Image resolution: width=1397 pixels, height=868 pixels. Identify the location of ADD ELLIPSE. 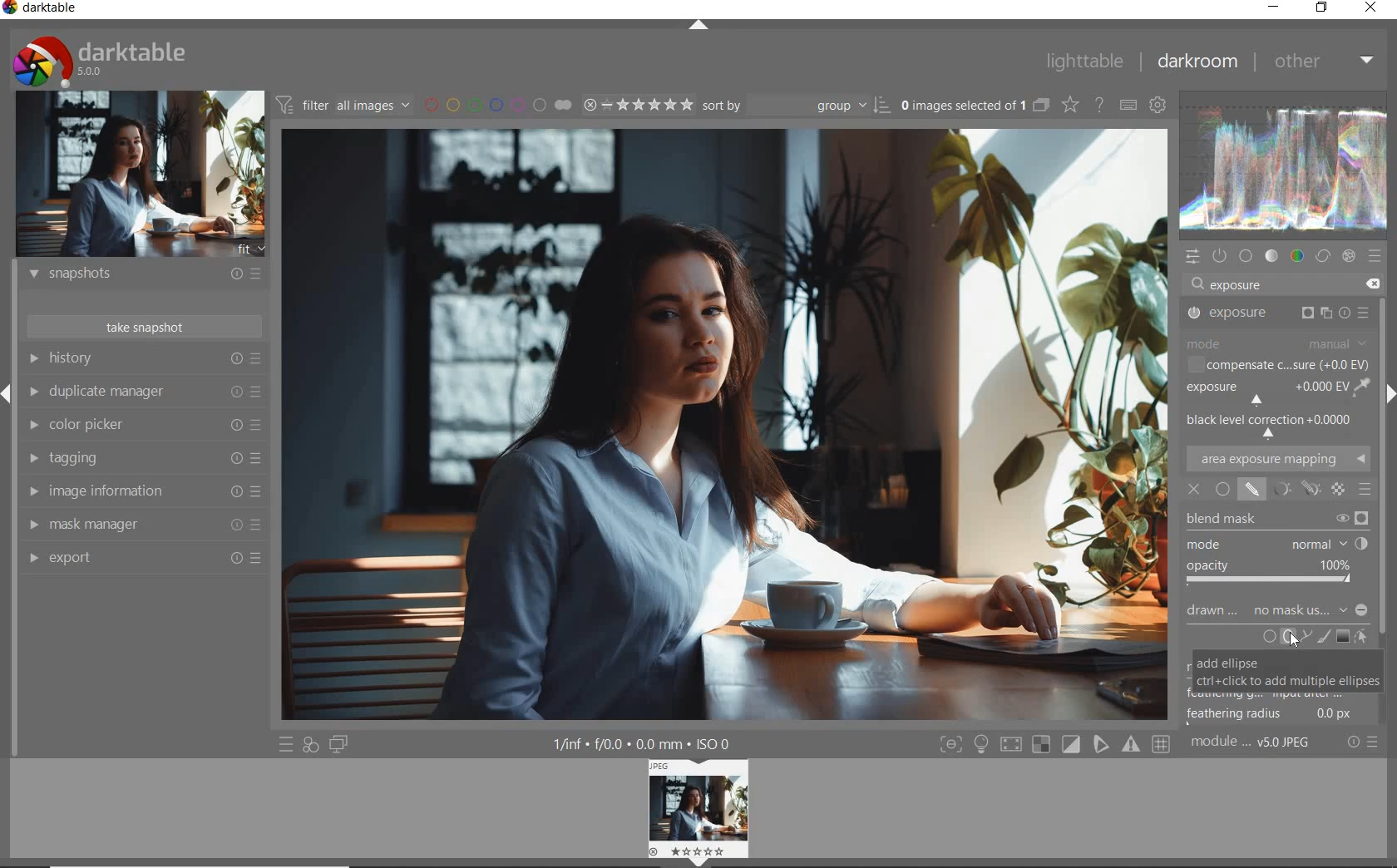
(1286, 670).